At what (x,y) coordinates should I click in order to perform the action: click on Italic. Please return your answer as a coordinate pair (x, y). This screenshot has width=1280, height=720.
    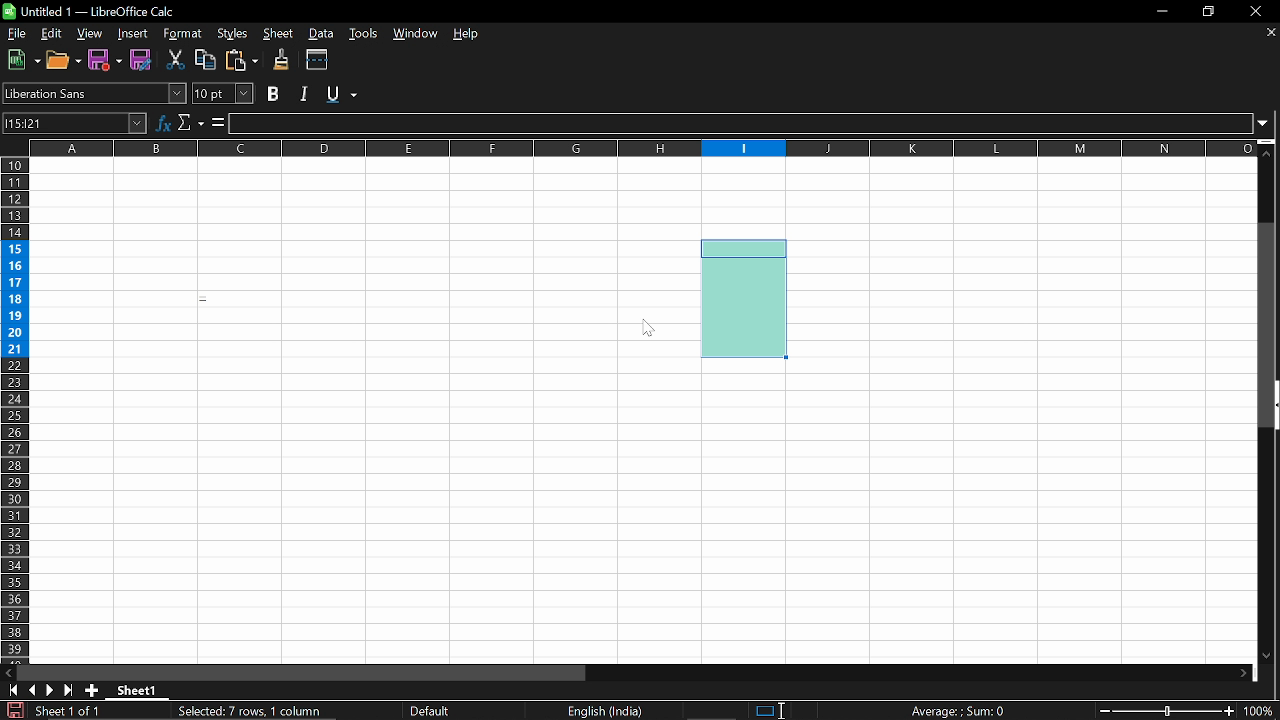
    Looking at the image, I should click on (304, 93).